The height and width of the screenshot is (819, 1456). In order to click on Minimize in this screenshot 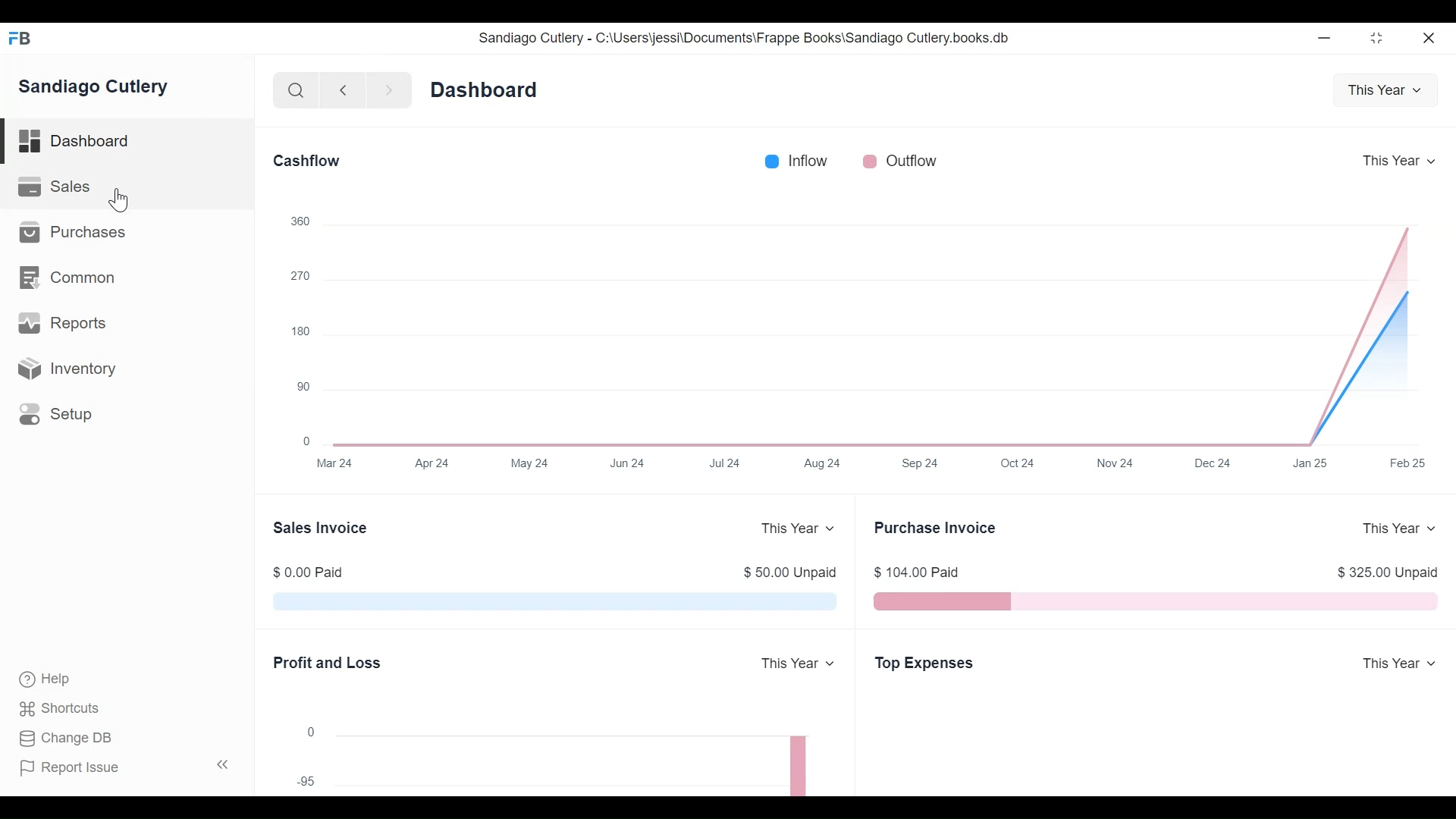, I will do `click(1324, 39)`.